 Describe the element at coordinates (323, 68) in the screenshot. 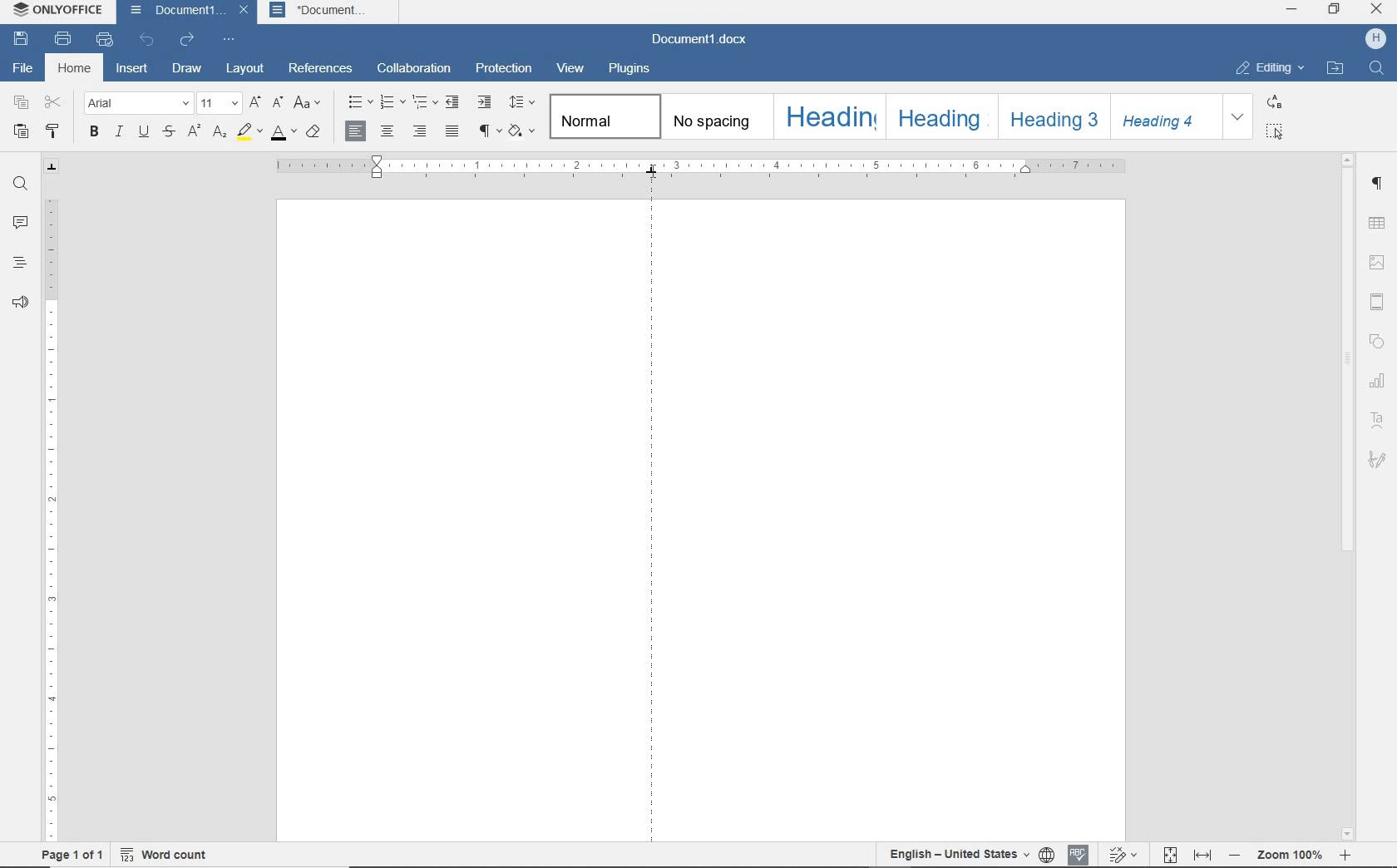

I see `REFERENCES` at that location.